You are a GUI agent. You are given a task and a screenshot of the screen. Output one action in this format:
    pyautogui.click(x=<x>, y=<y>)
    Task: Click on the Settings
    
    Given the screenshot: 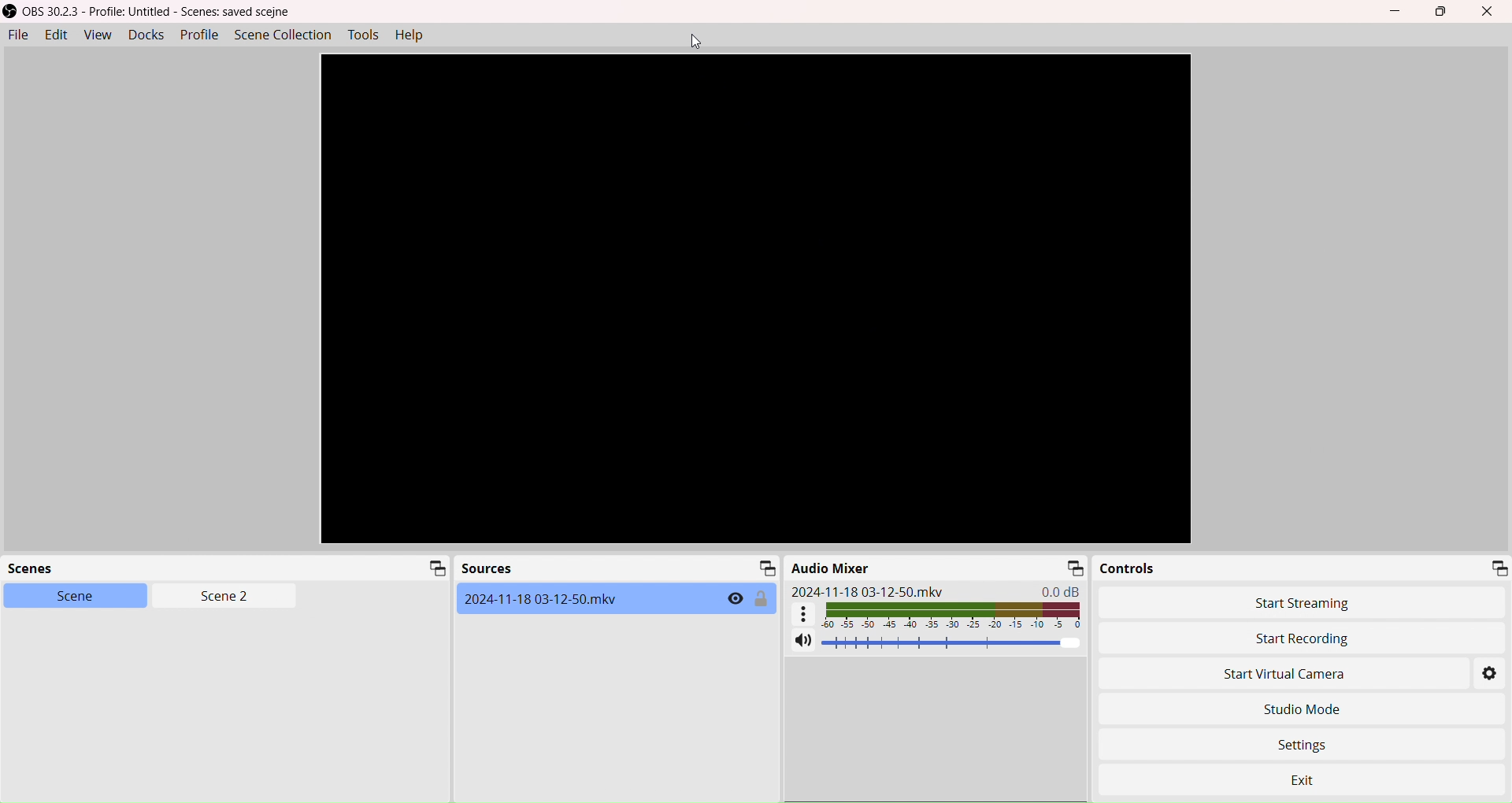 What is the action you would take?
    pyautogui.click(x=1491, y=675)
    